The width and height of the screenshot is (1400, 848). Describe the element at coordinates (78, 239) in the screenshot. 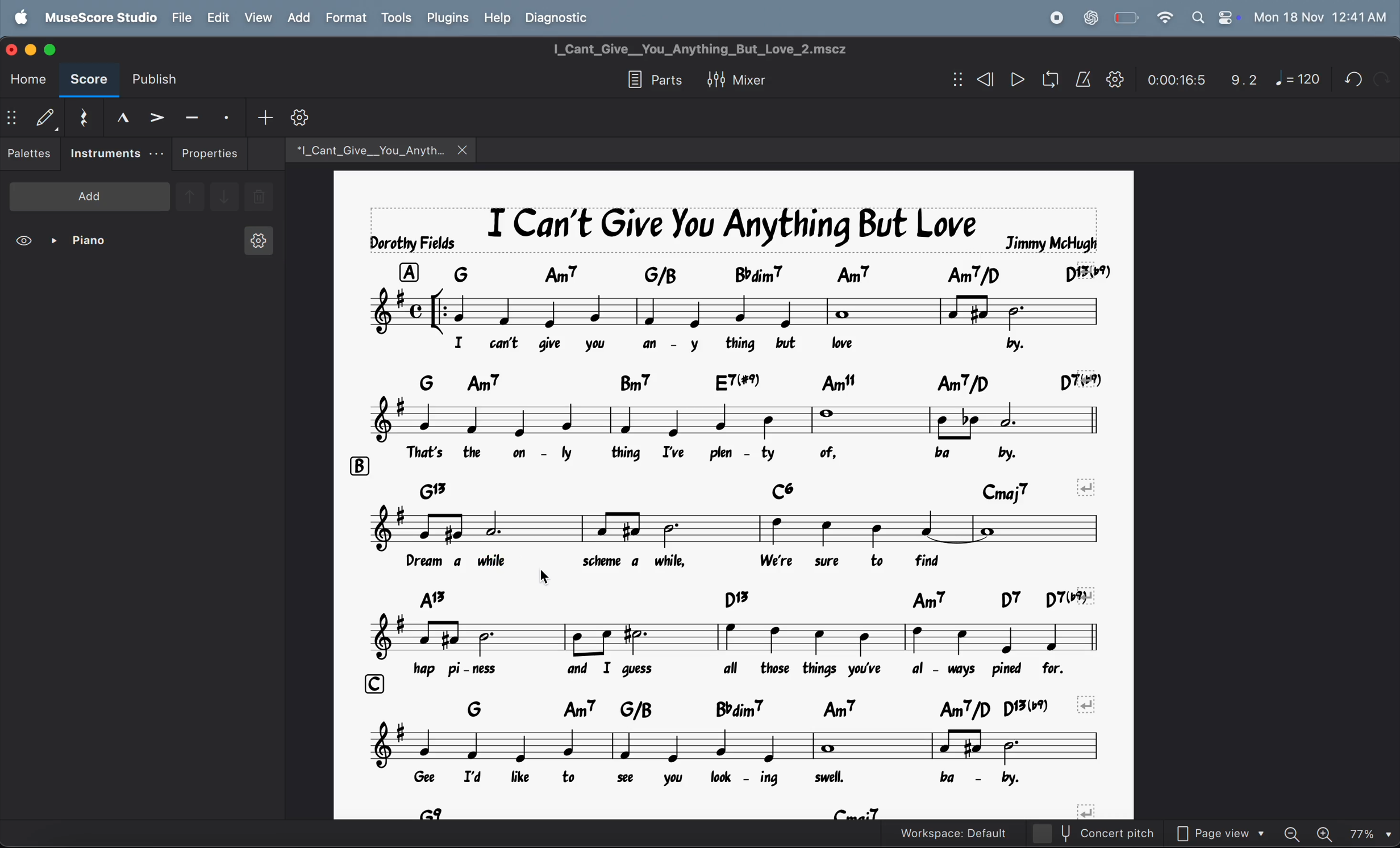

I see `piano` at that location.